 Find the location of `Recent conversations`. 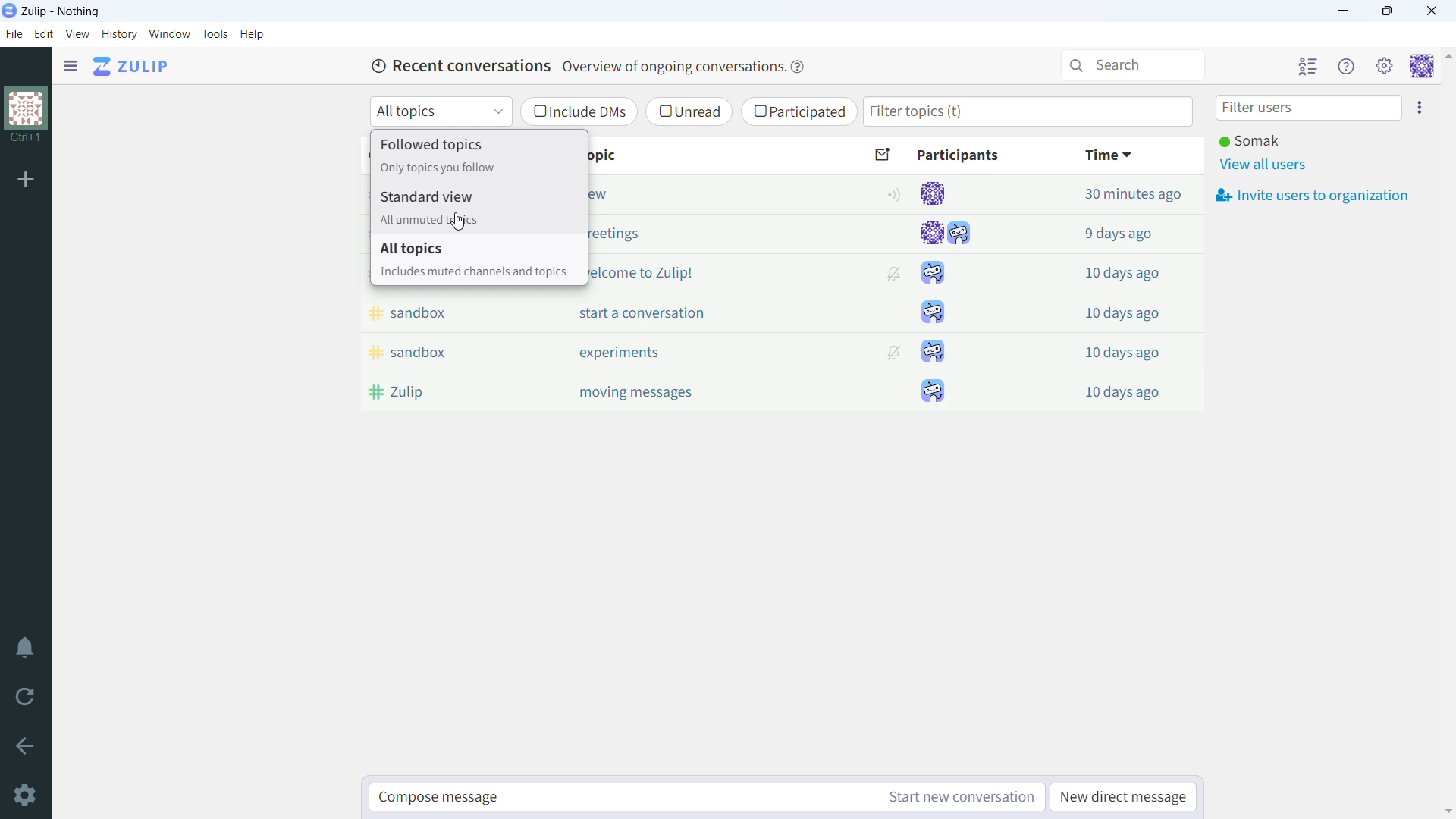

Recent conversations is located at coordinates (459, 67).